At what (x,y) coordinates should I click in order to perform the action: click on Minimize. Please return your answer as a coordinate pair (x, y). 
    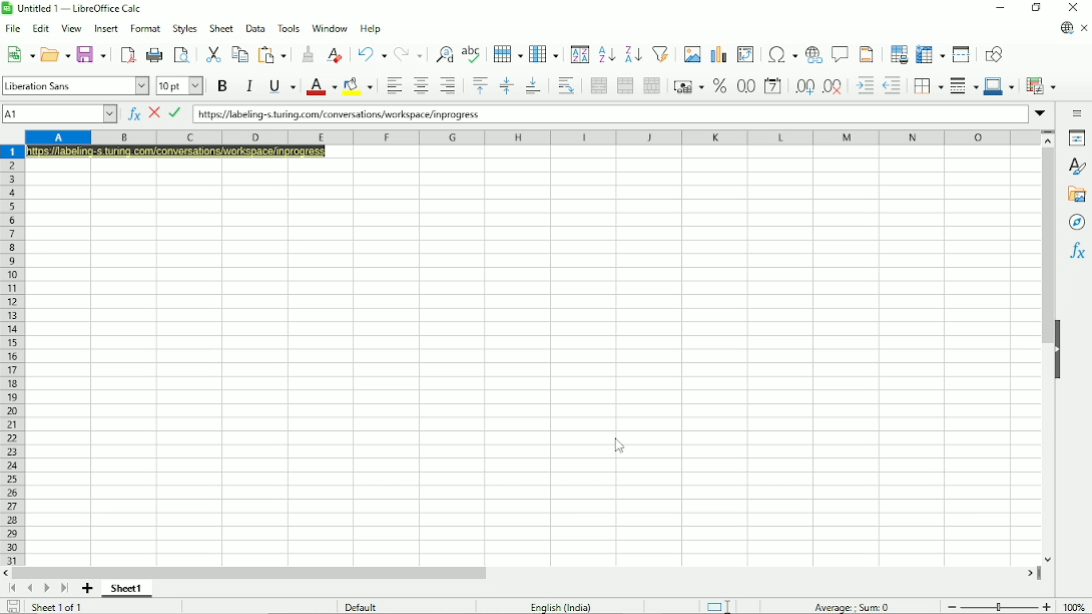
    Looking at the image, I should click on (1000, 9).